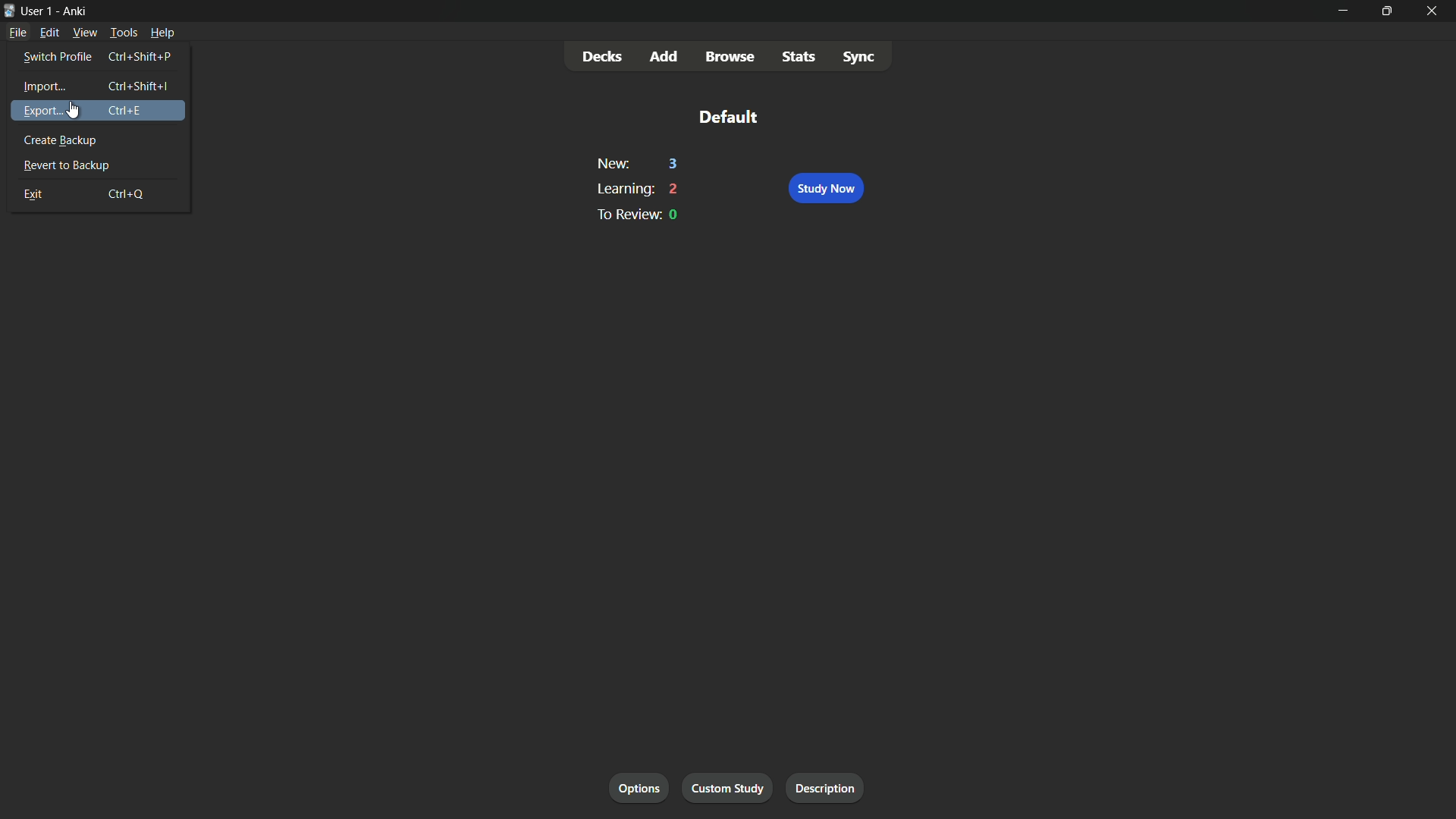  I want to click on learning, so click(623, 189).